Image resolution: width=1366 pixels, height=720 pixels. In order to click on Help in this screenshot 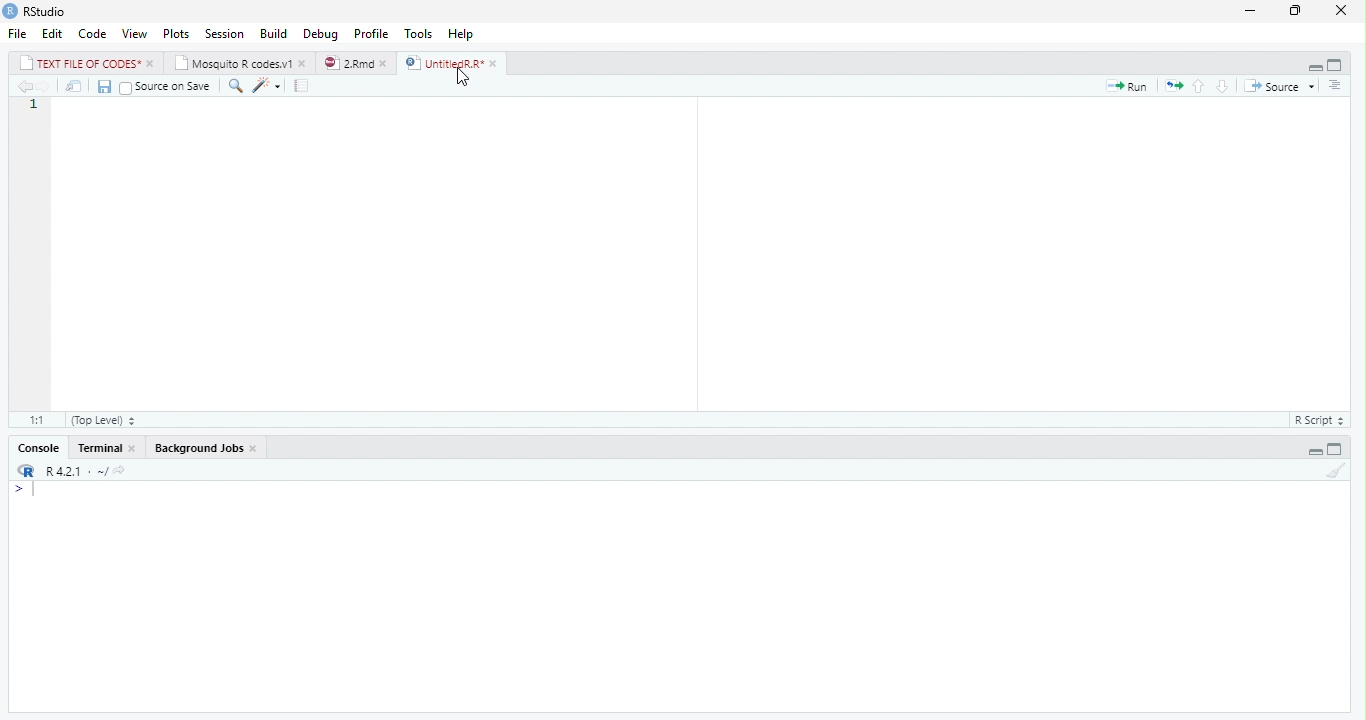, I will do `click(462, 34)`.